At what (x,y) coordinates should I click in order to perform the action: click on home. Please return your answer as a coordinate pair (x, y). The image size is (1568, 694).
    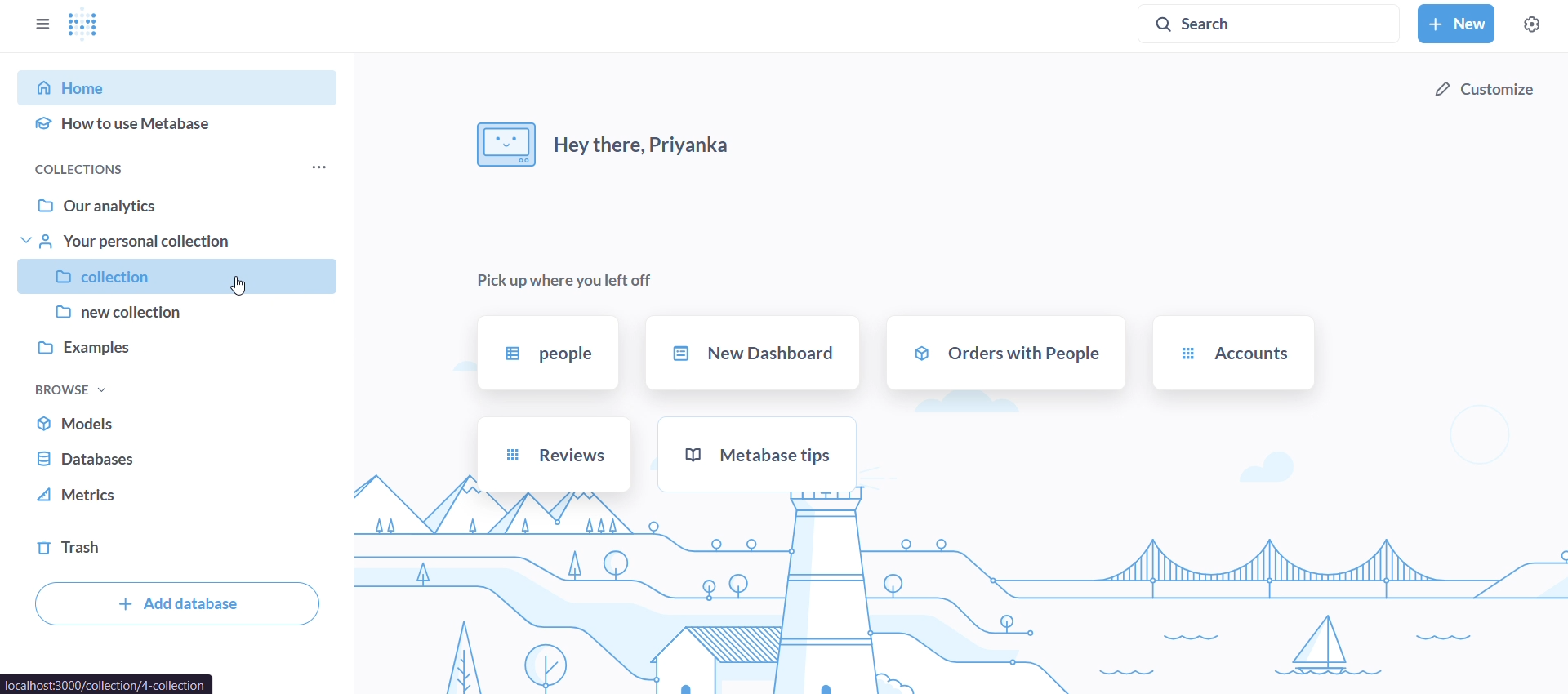
    Looking at the image, I should click on (183, 87).